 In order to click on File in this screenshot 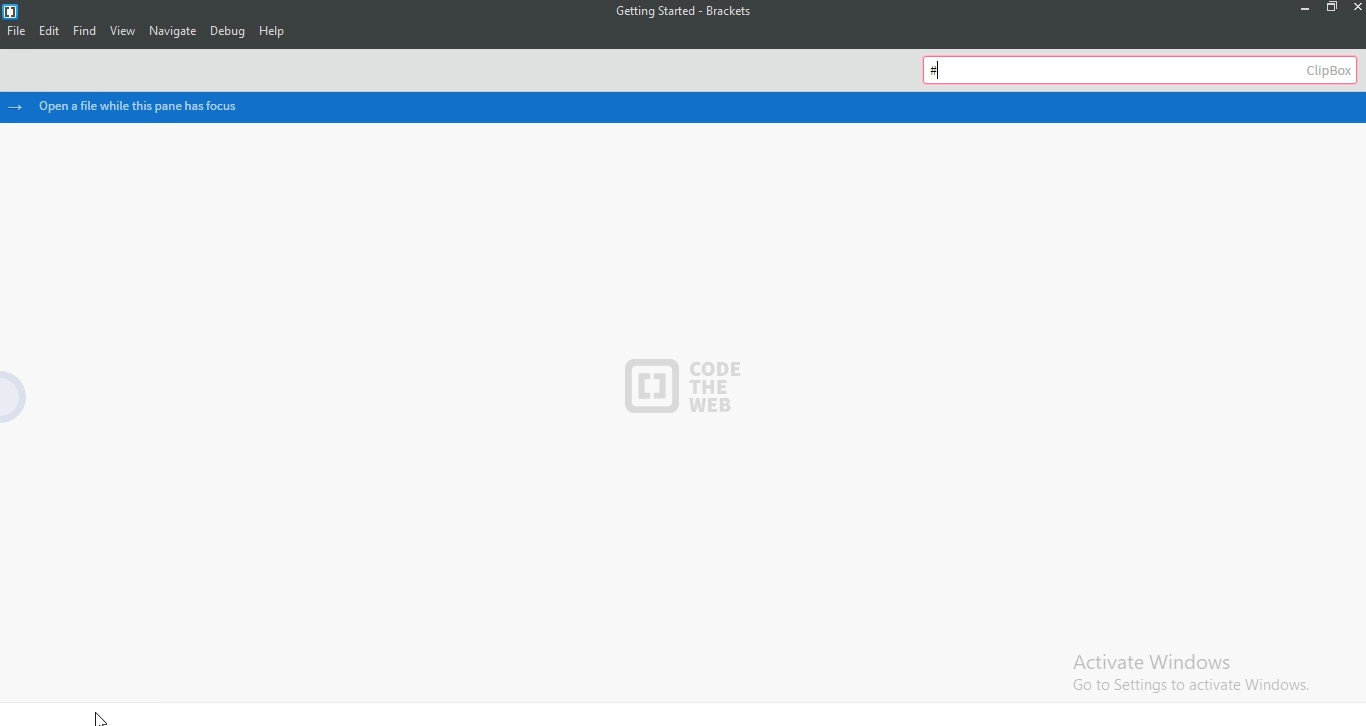, I will do `click(15, 35)`.